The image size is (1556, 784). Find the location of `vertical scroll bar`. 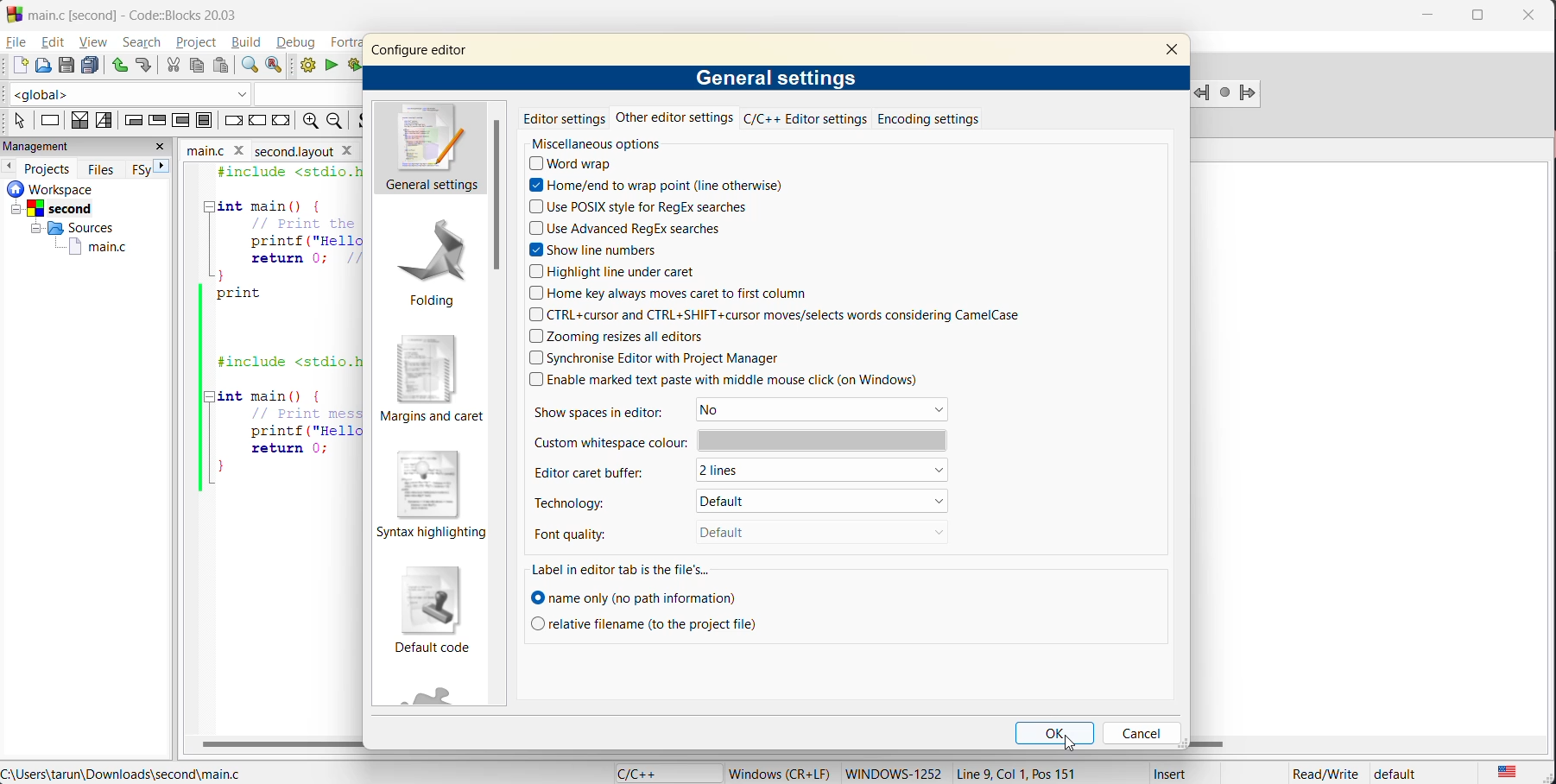

vertical scroll bar is located at coordinates (495, 194).